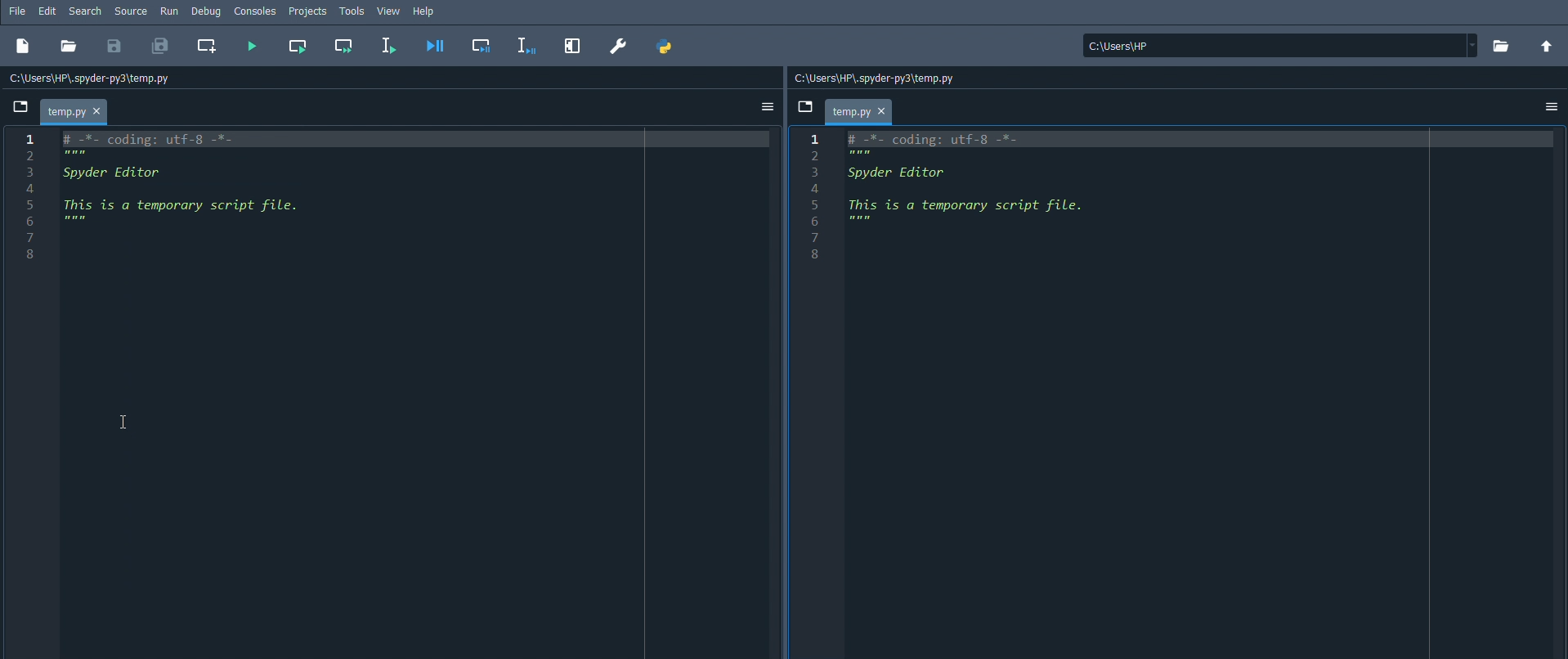 The image size is (1568, 659). What do you see at coordinates (24, 47) in the screenshot?
I see `New file` at bounding box center [24, 47].